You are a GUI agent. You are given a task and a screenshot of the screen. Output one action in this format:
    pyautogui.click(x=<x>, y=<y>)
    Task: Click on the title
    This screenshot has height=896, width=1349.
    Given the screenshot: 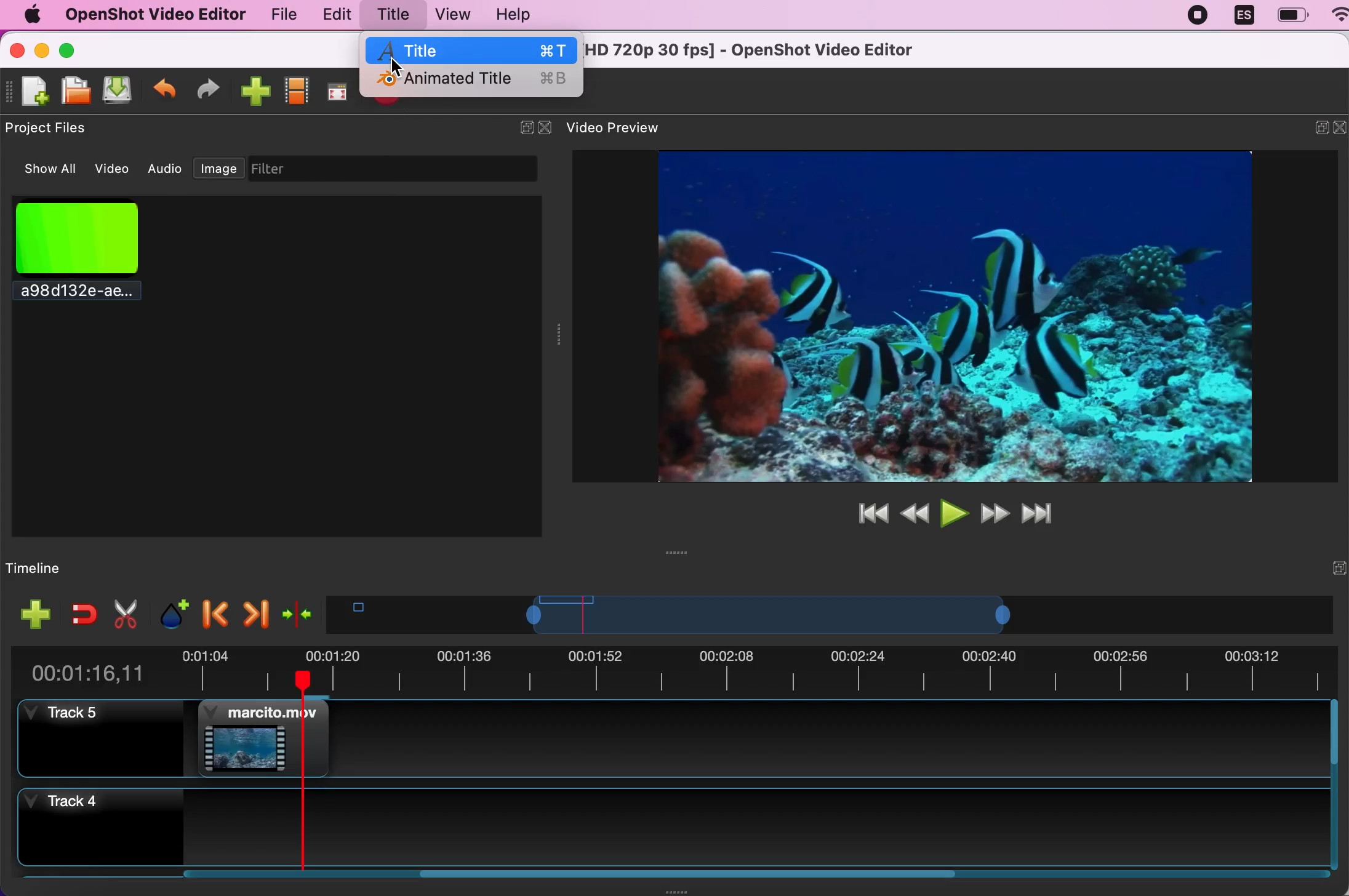 What is the action you would take?
    pyautogui.click(x=473, y=49)
    